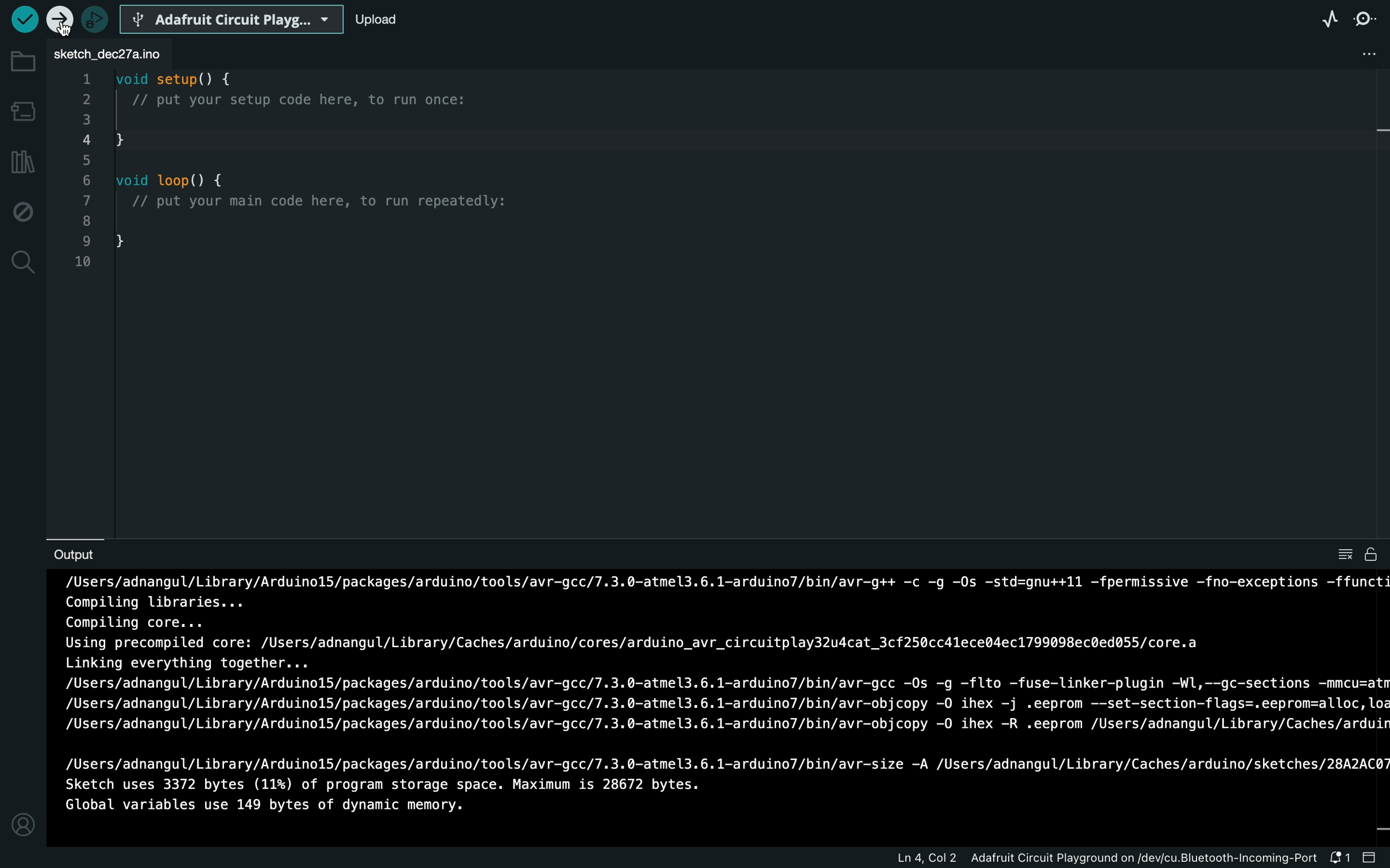 The image size is (1390, 868). Describe the element at coordinates (1362, 55) in the screenshot. I see `file setting` at that location.